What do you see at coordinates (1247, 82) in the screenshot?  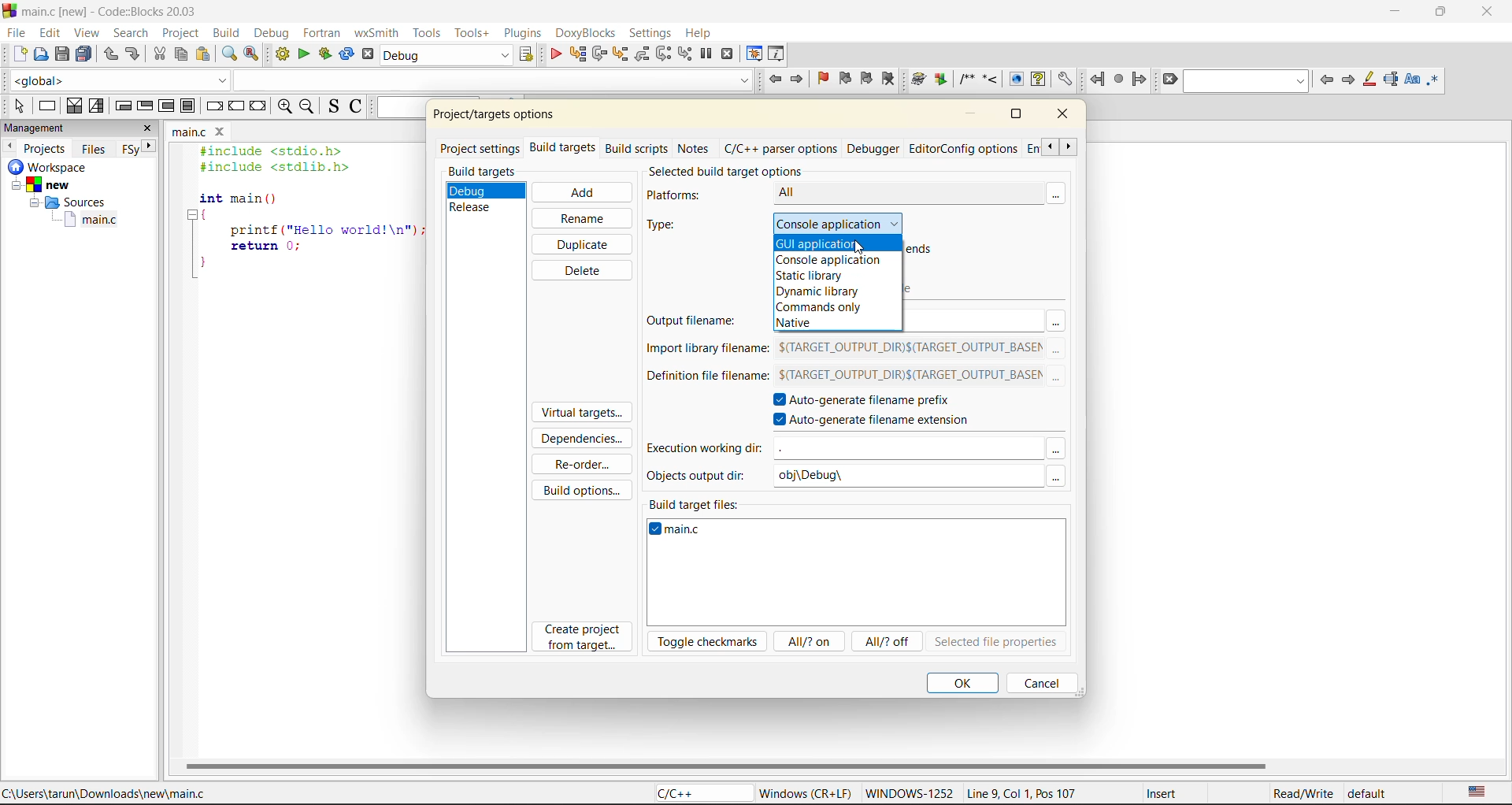 I see `search` at bounding box center [1247, 82].